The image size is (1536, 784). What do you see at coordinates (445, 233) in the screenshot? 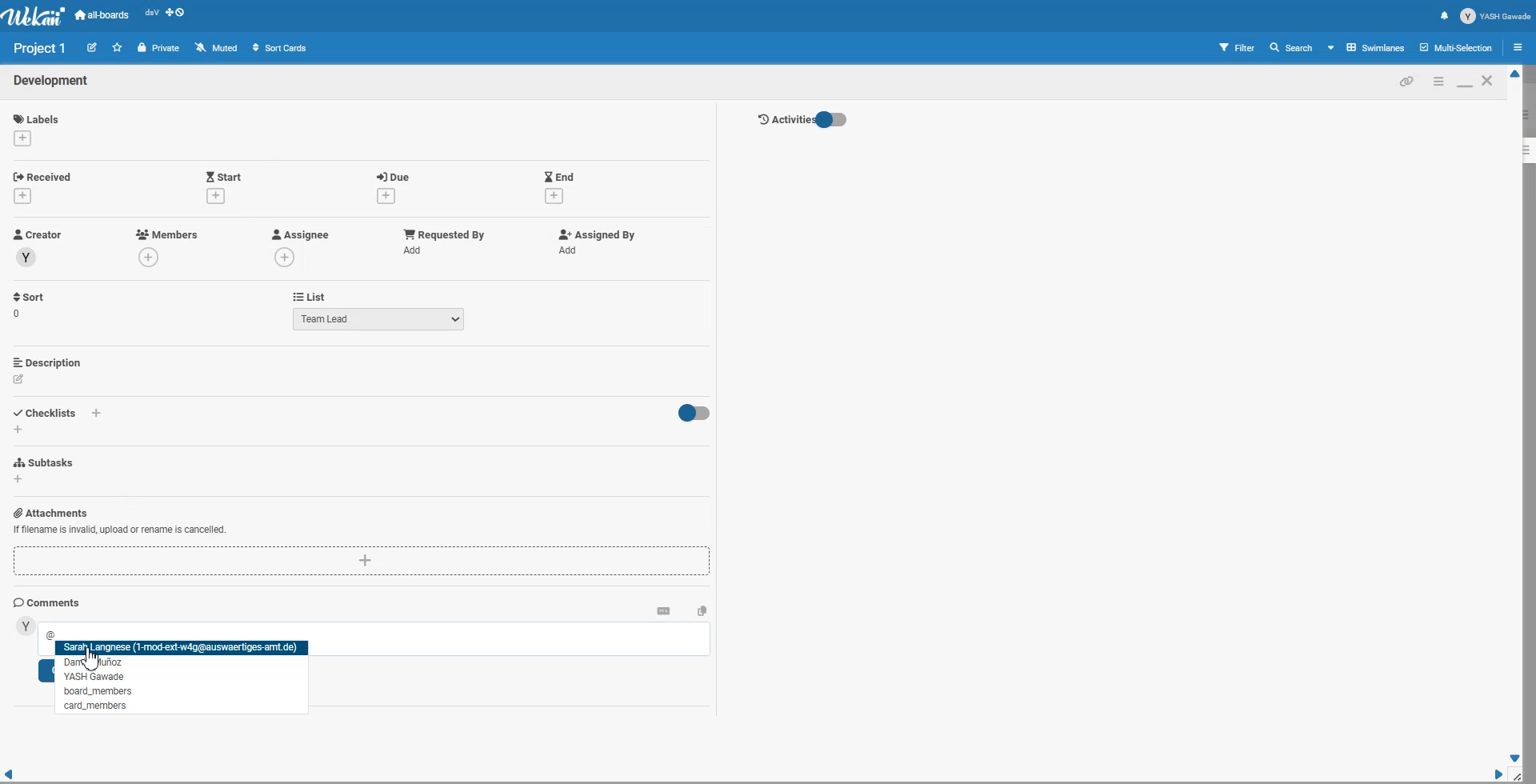
I see `Add Requested by` at bounding box center [445, 233].